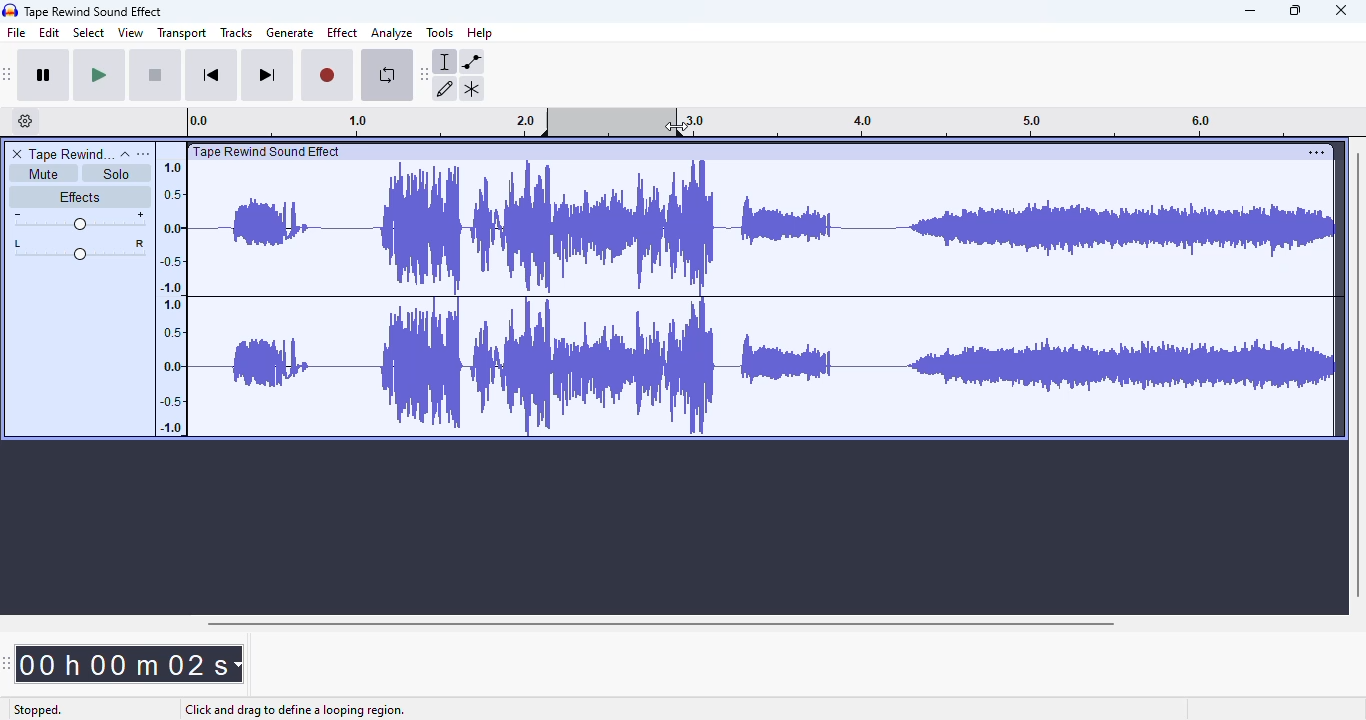 The width and height of the screenshot is (1366, 720). Describe the element at coordinates (448, 61) in the screenshot. I see `selection tool` at that location.